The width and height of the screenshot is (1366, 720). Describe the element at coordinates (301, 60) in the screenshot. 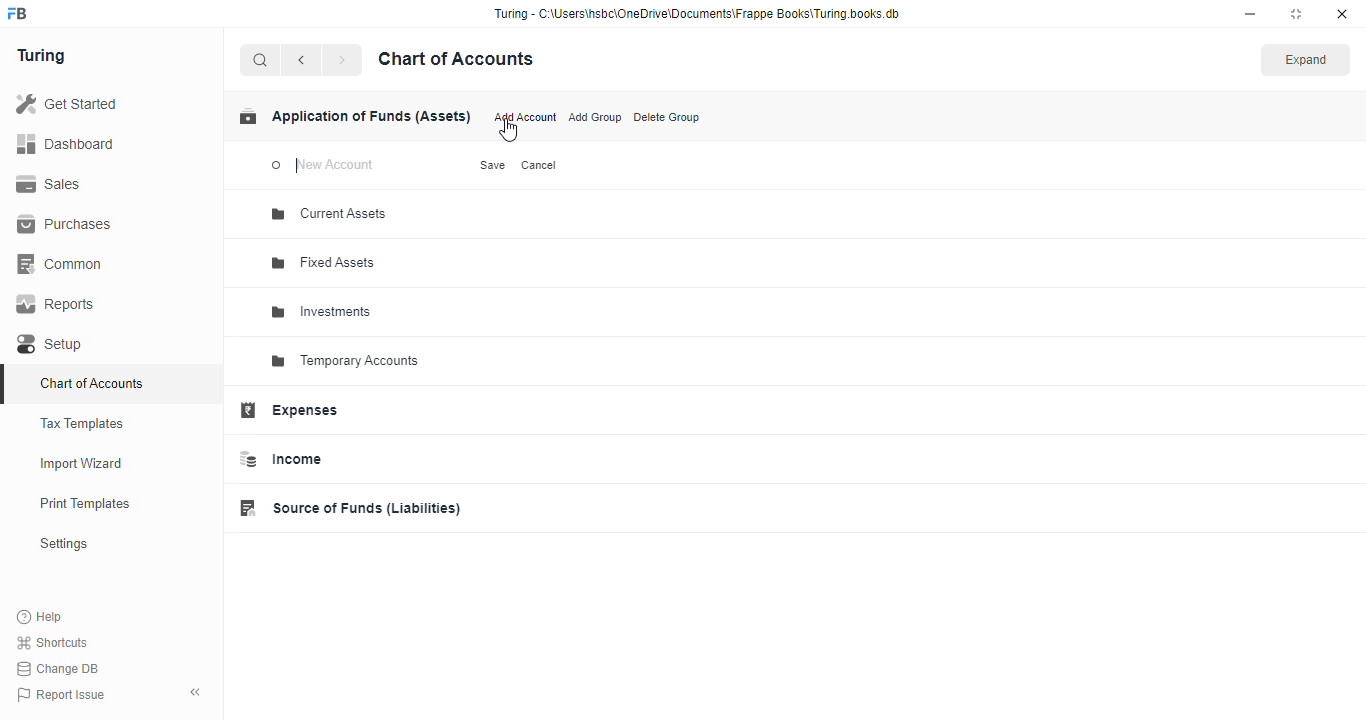

I see `back` at that location.